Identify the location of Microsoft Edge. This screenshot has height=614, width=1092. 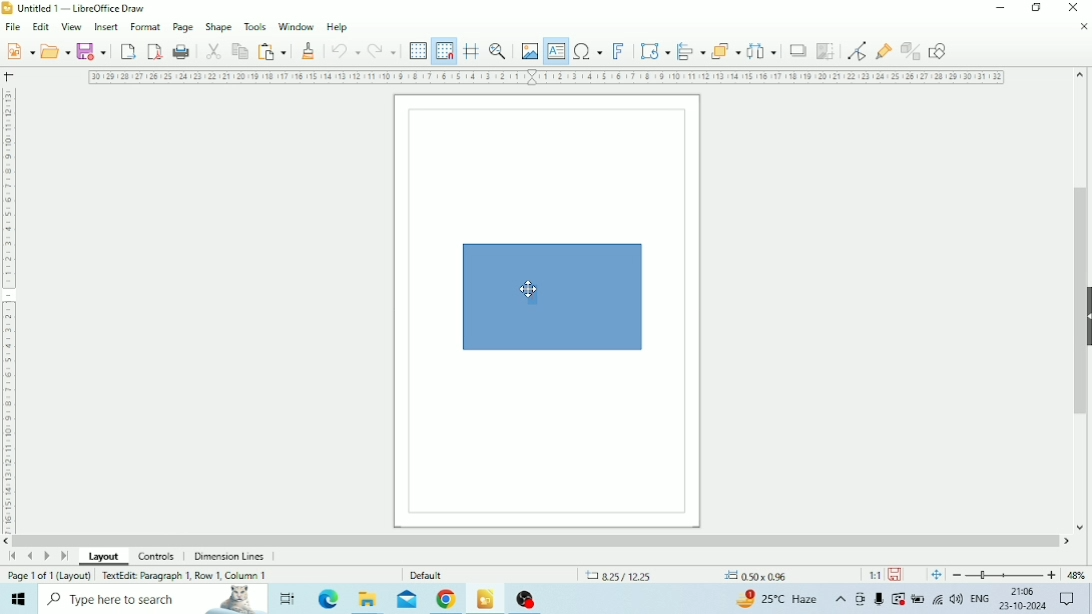
(327, 600).